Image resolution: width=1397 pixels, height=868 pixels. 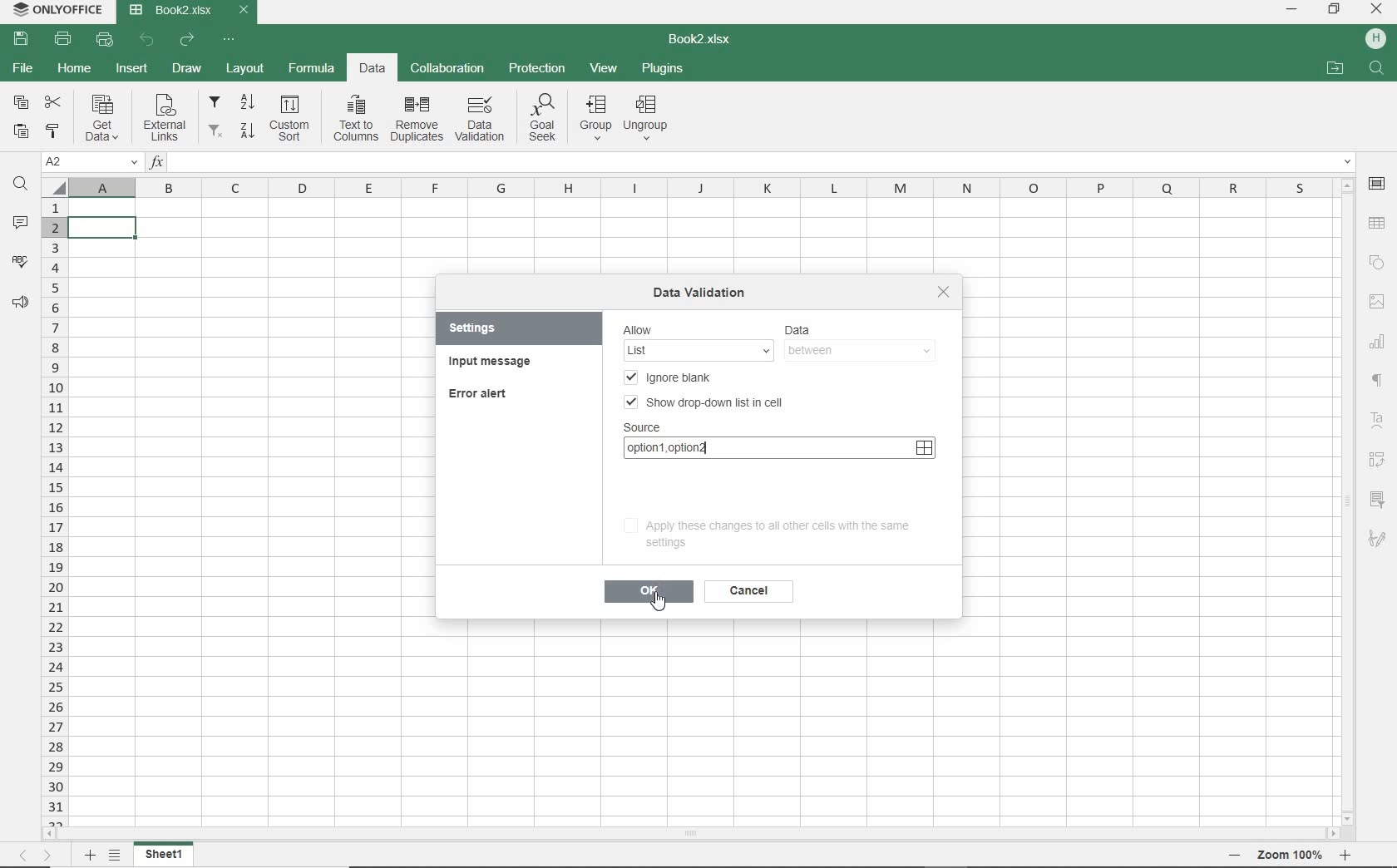 I want to click on TABLE, so click(x=1378, y=223).